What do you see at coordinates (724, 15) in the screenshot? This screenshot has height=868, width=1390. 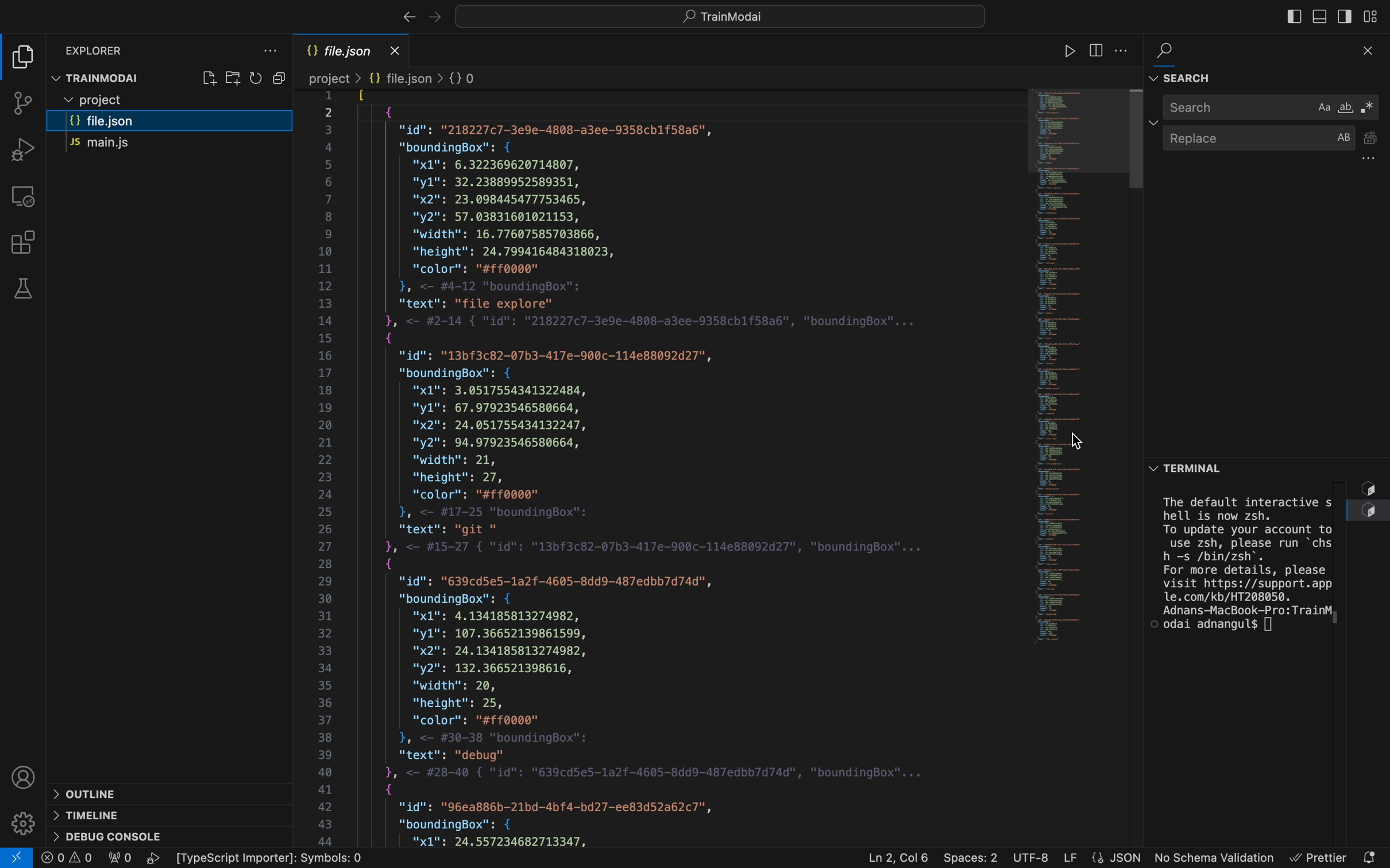 I see `searcyh bar` at bounding box center [724, 15].